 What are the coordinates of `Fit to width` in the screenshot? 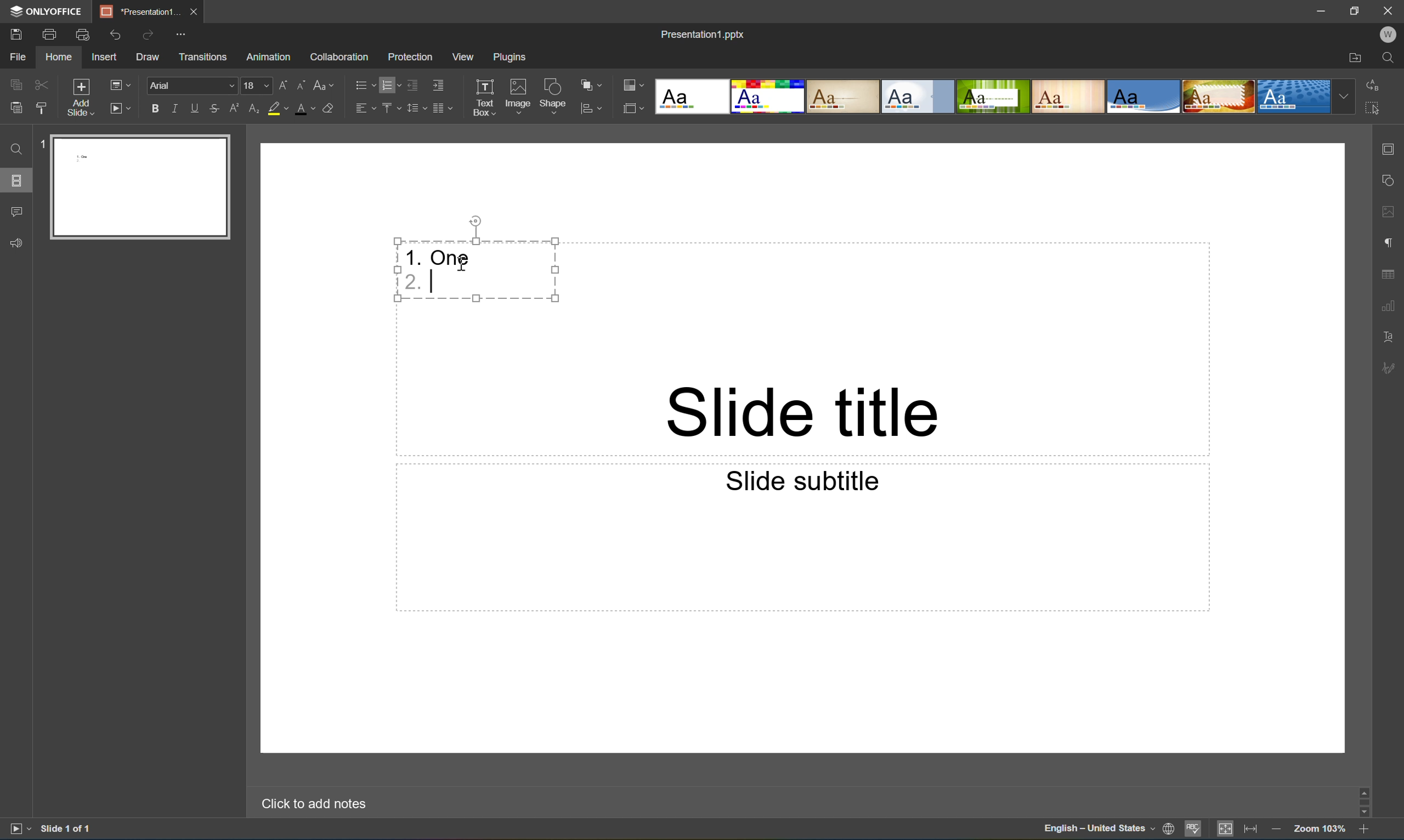 It's located at (1251, 830).